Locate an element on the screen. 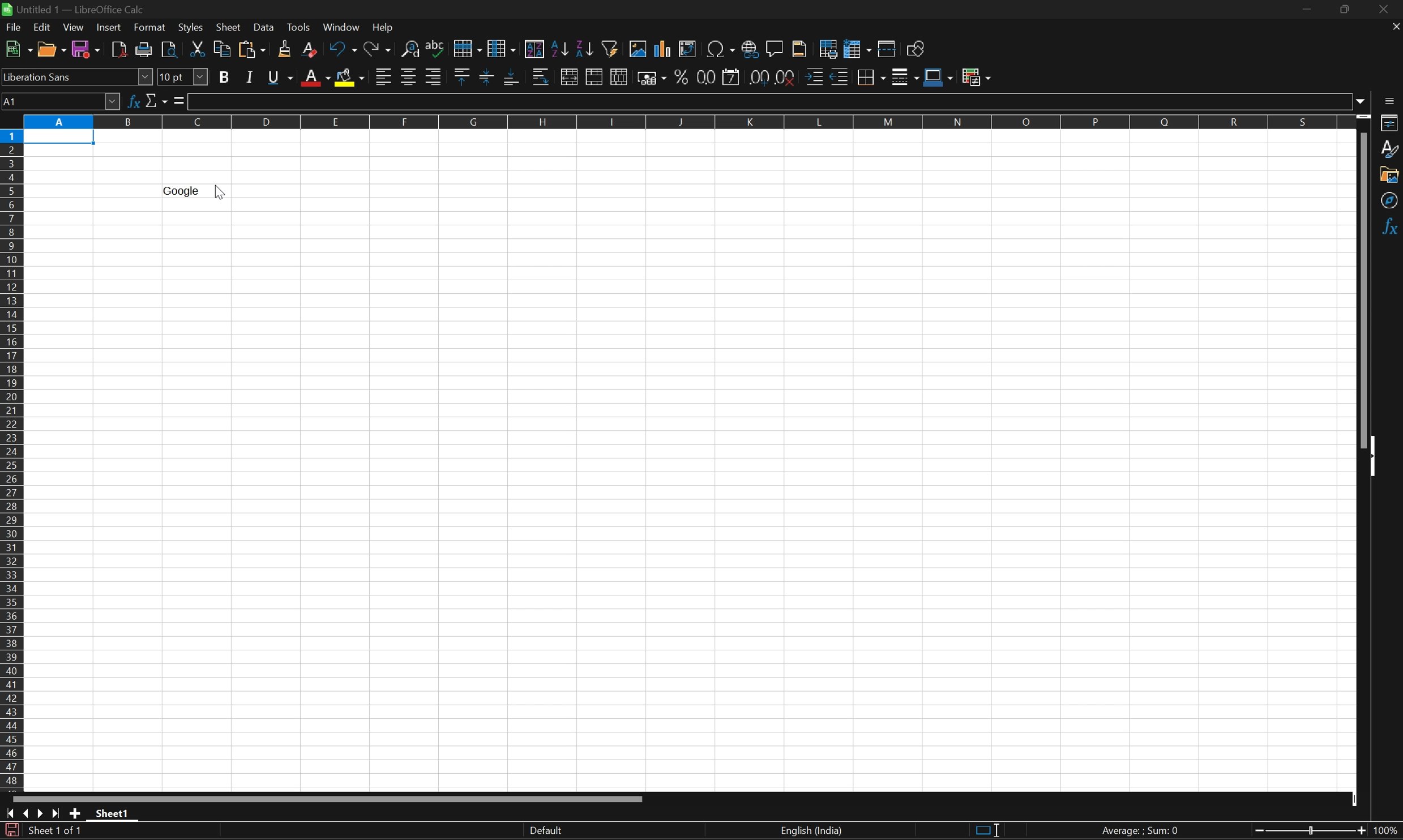 Image resolution: width=1403 pixels, height=840 pixels. Scroll to next sheet is located at coordinates (39, 814).